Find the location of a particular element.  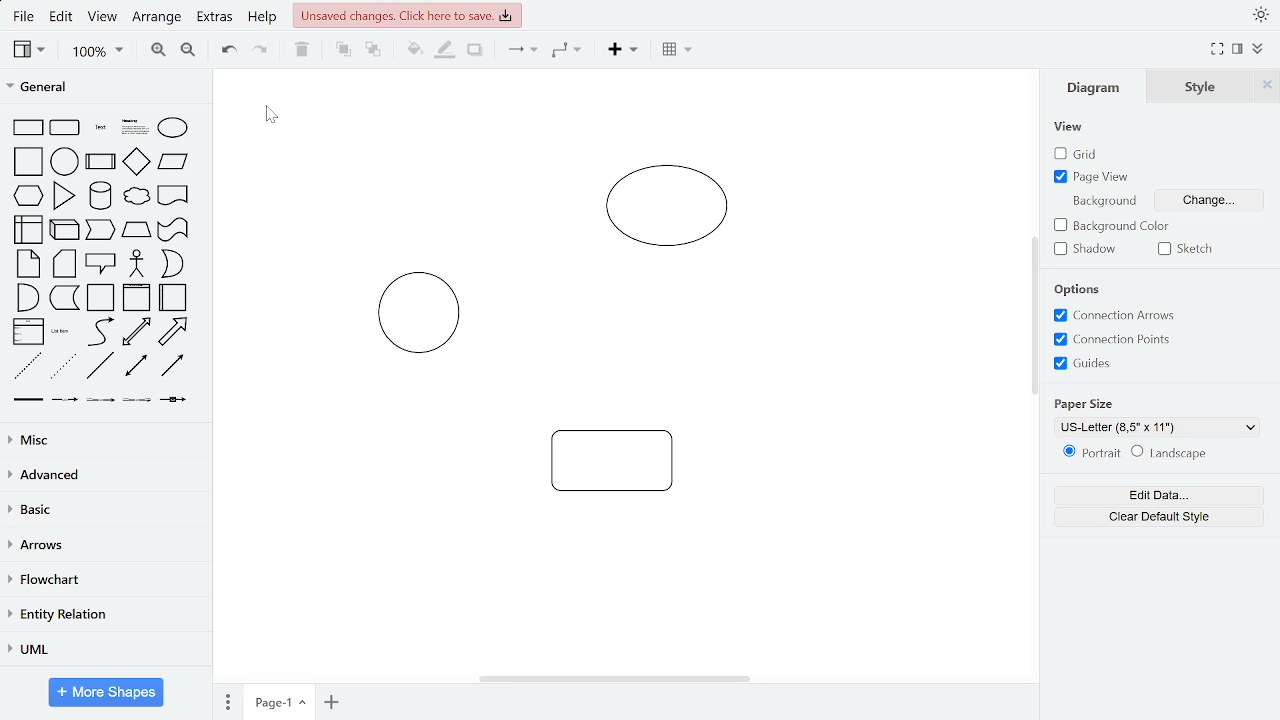

entity relation is located at coordinates (102, 614).